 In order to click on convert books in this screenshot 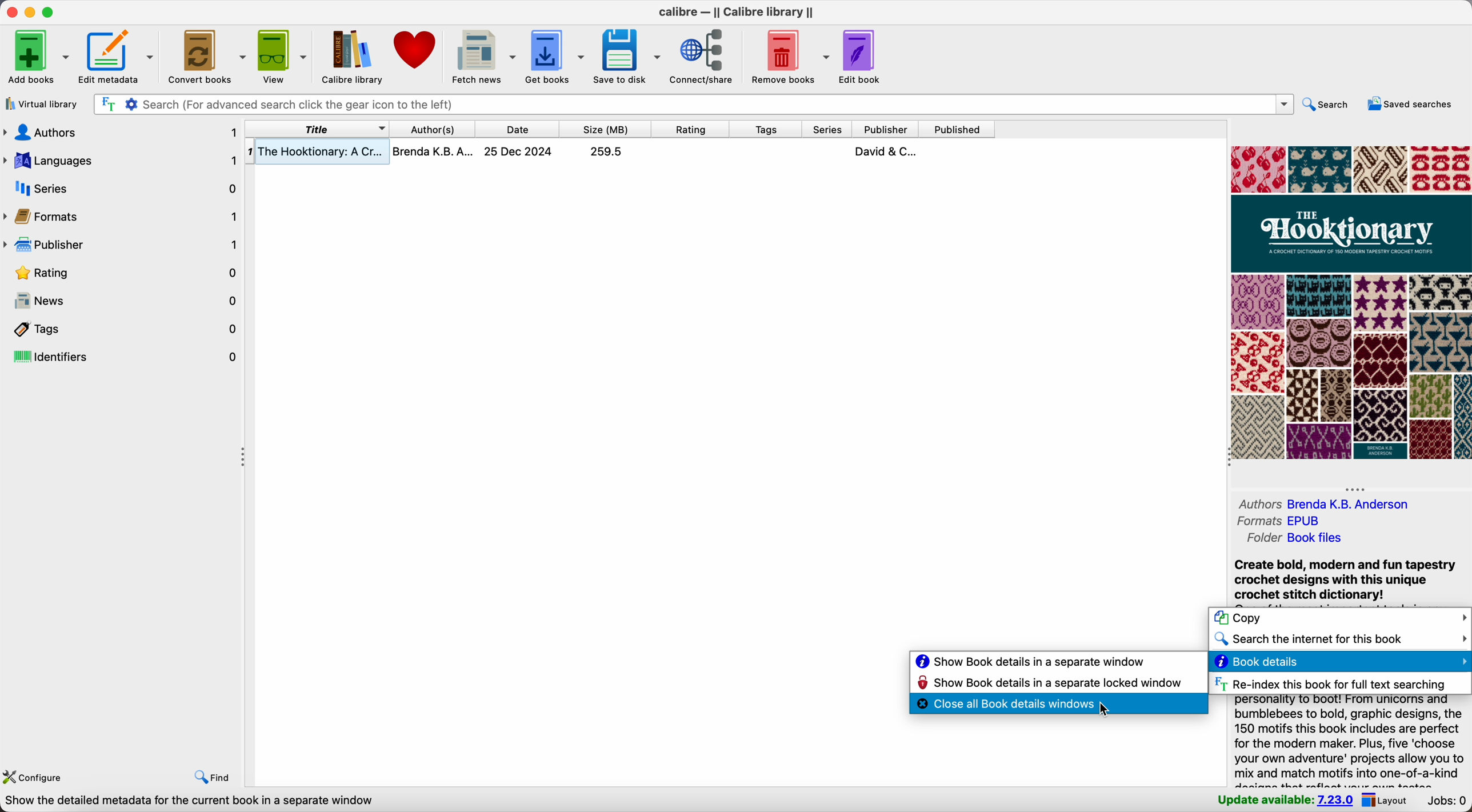, I will do `click(205, 55)`.